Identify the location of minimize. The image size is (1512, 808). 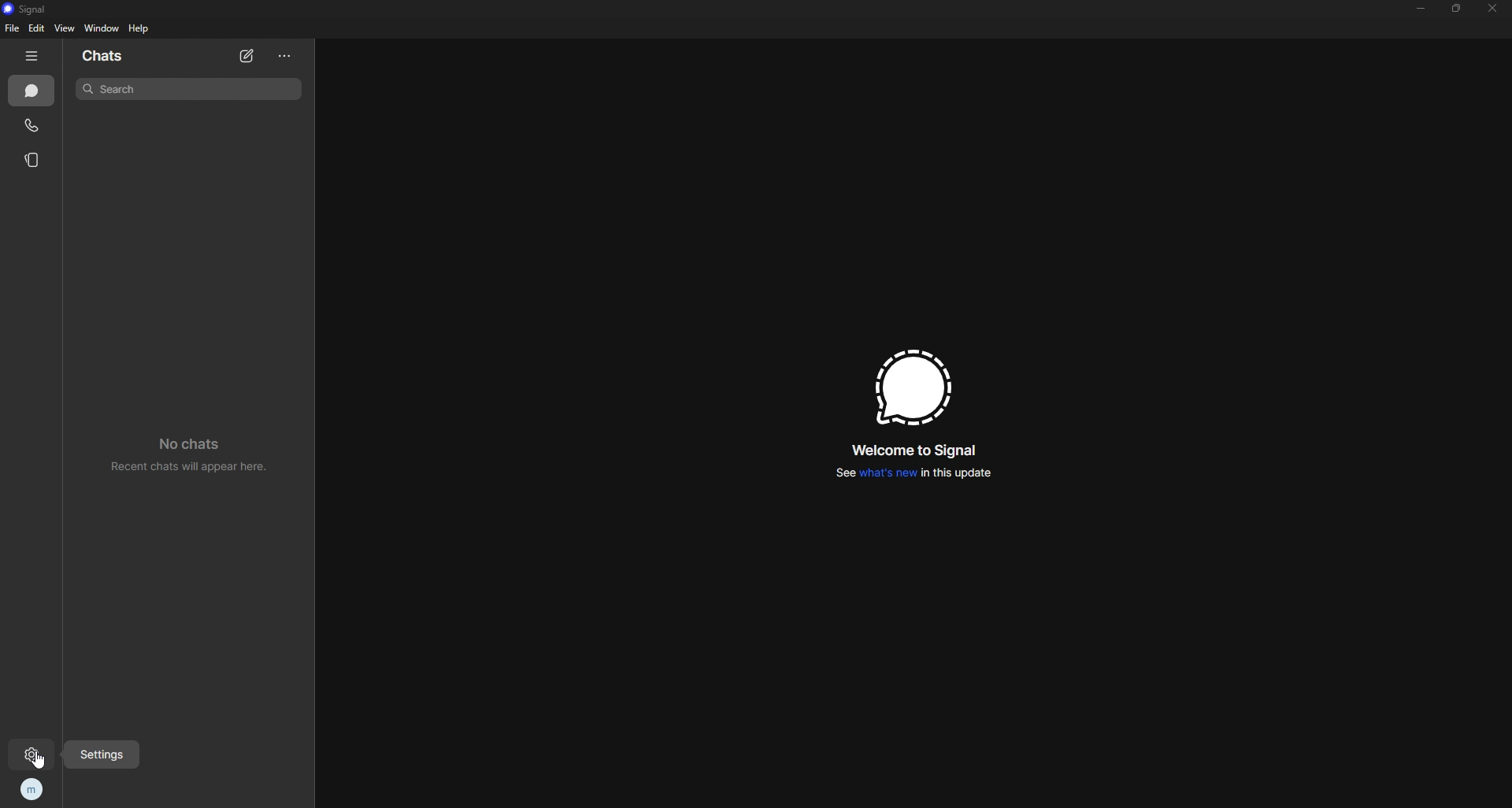
(1422, 8).